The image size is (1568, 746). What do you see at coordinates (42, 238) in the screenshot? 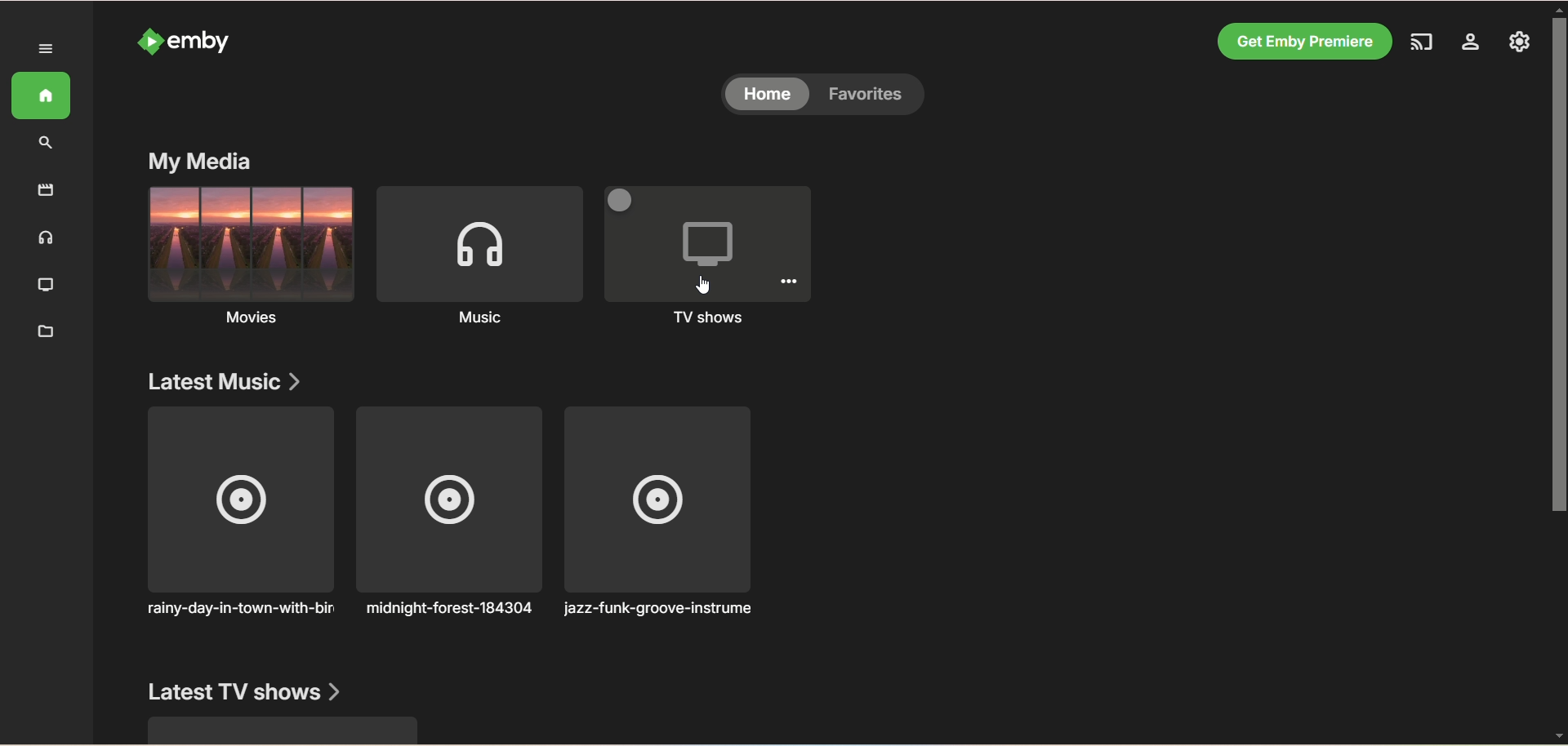
I see `music` at bounding box center [42, 238].